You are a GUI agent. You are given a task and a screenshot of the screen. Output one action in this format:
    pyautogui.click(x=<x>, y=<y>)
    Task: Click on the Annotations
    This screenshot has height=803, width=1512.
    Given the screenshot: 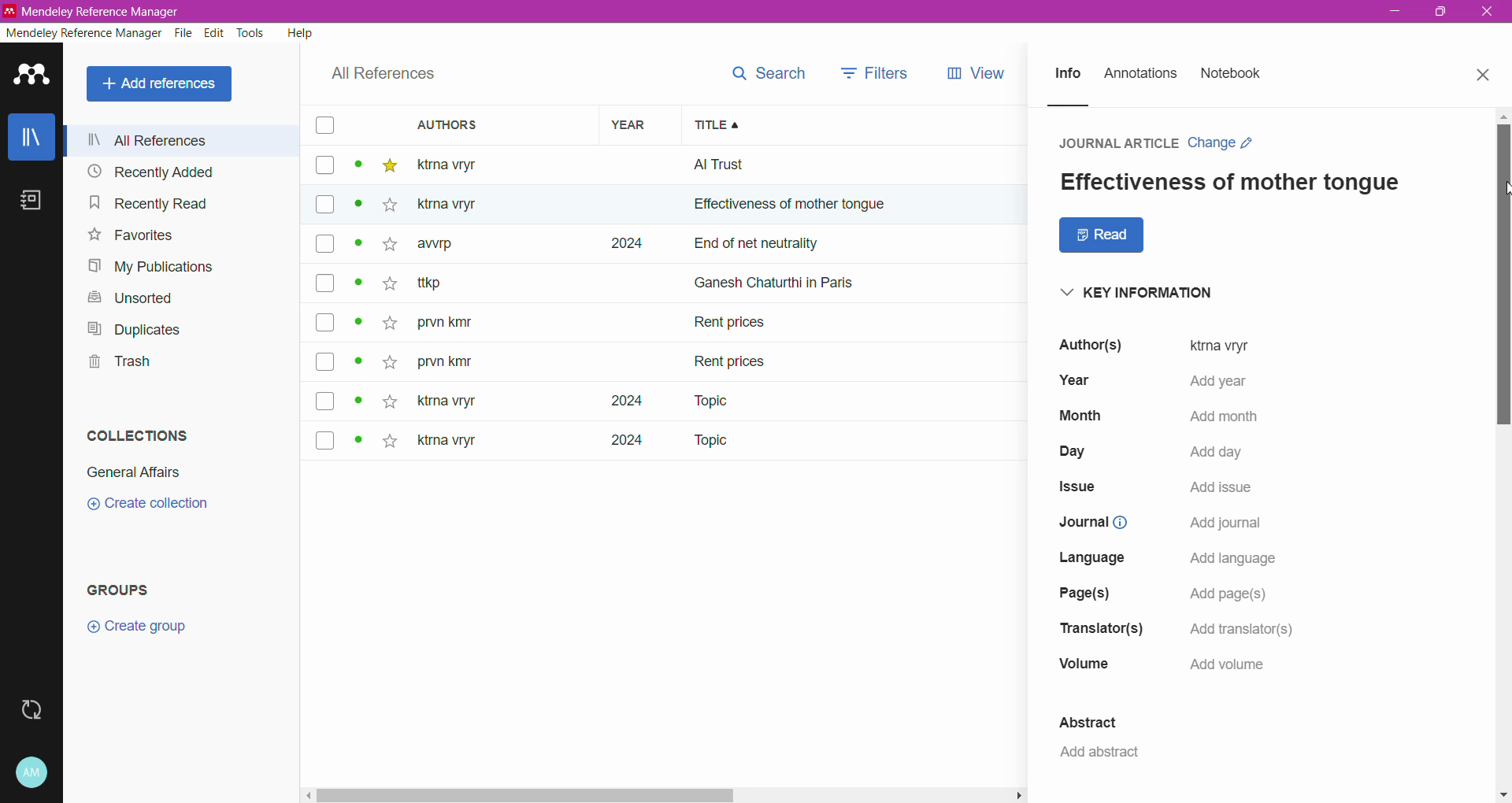 What is the action you would take?
    pyautogui.click(x=1140, y=75)
    